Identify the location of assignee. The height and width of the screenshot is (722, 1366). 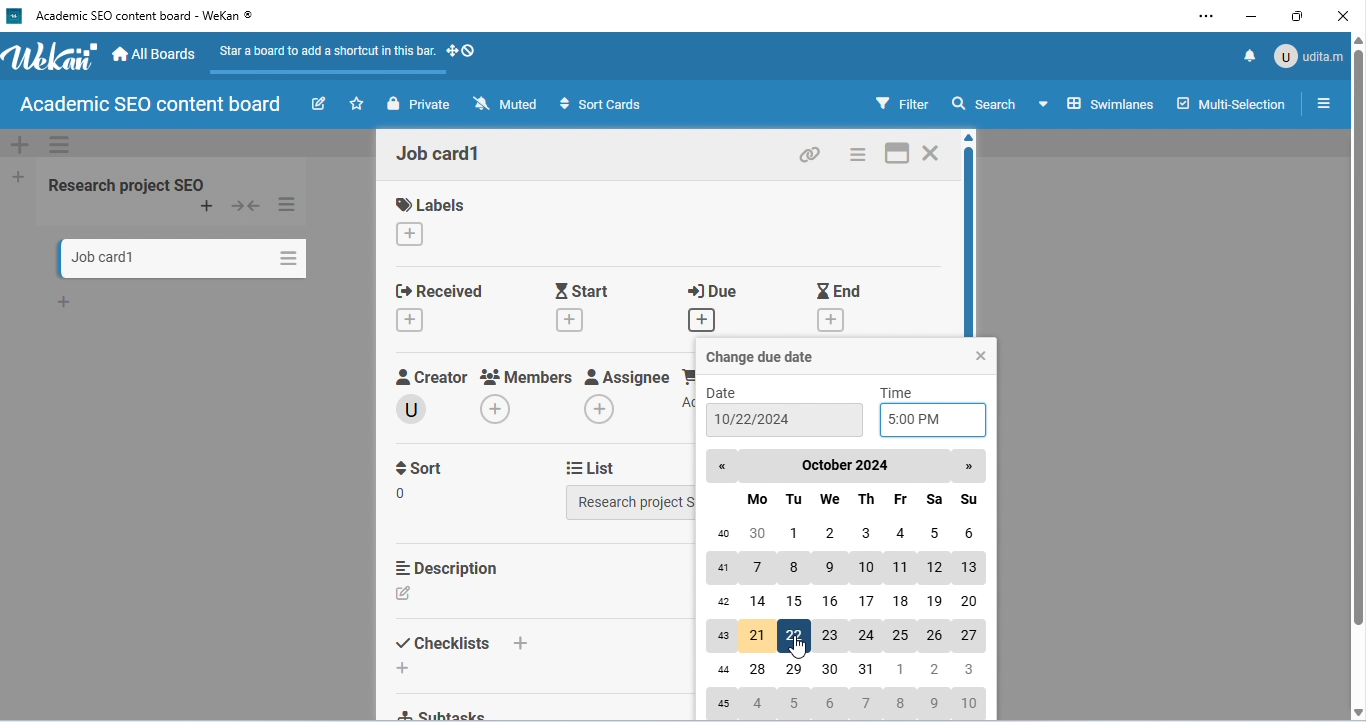
(629, 376).